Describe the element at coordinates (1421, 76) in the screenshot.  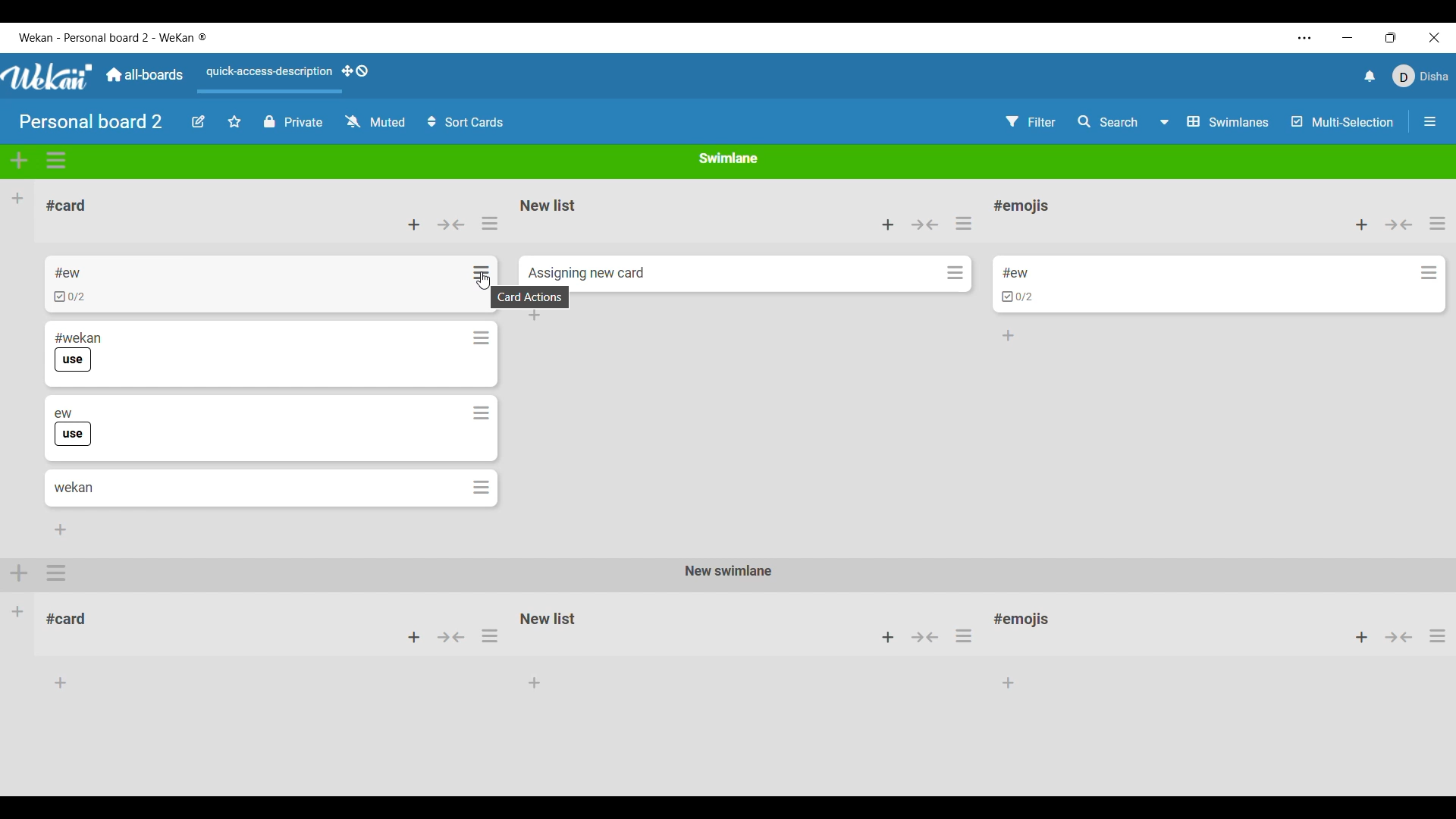
I see `Current account` at that location.